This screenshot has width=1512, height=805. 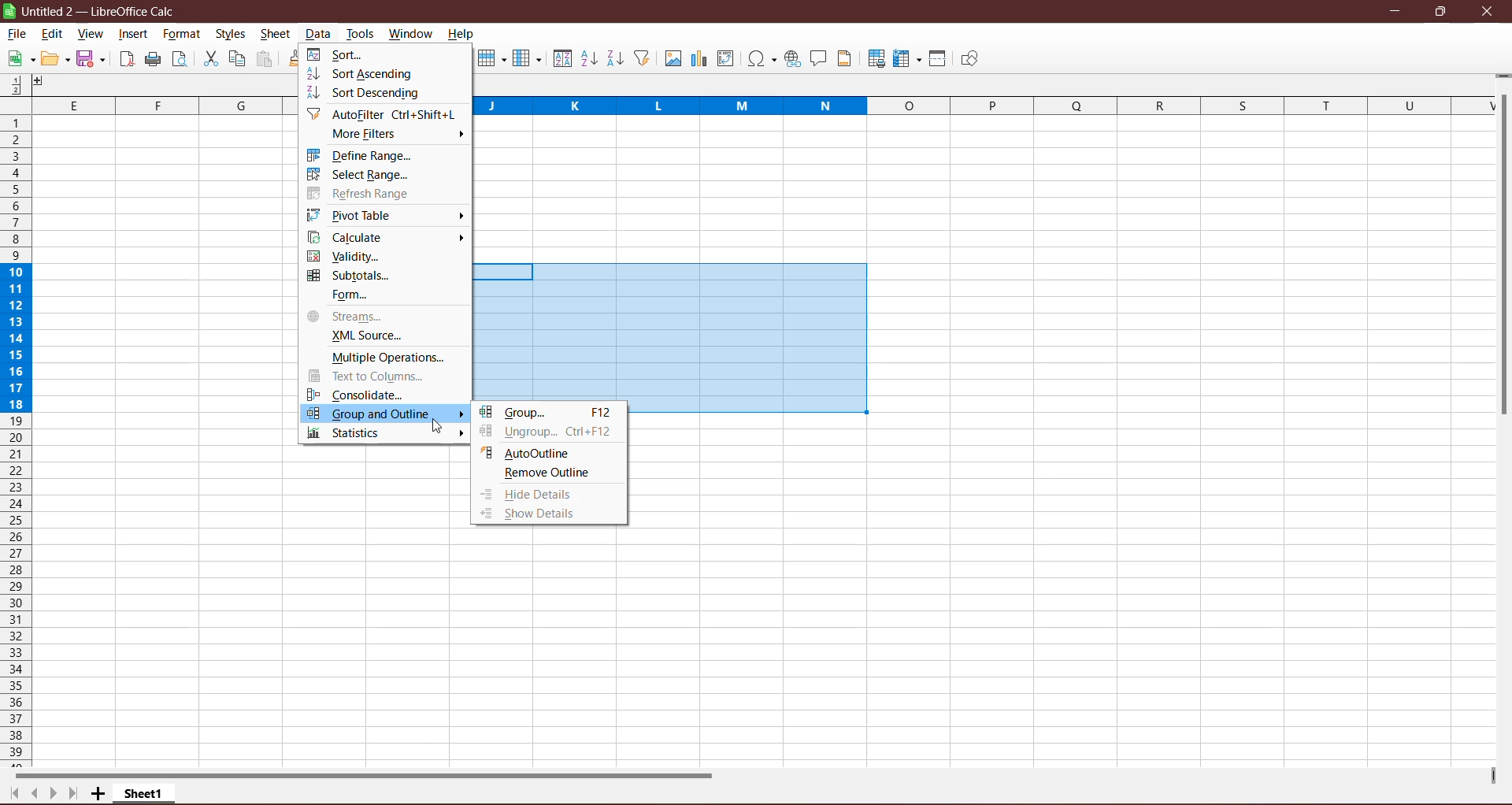 I want to click on Sort Descending, so click(x=616, y=58).